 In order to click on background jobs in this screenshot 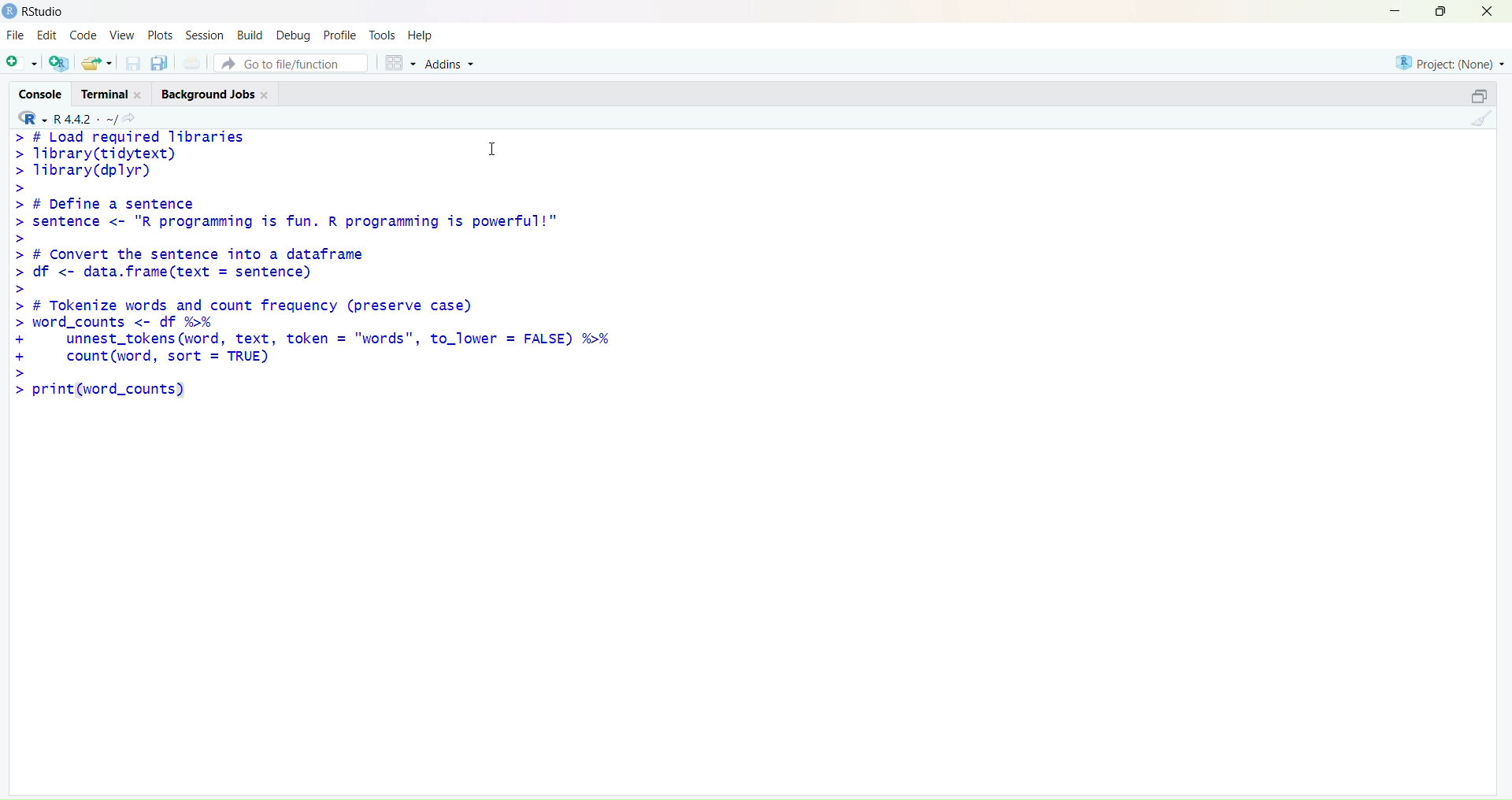, I will do `click(216, 95)`.